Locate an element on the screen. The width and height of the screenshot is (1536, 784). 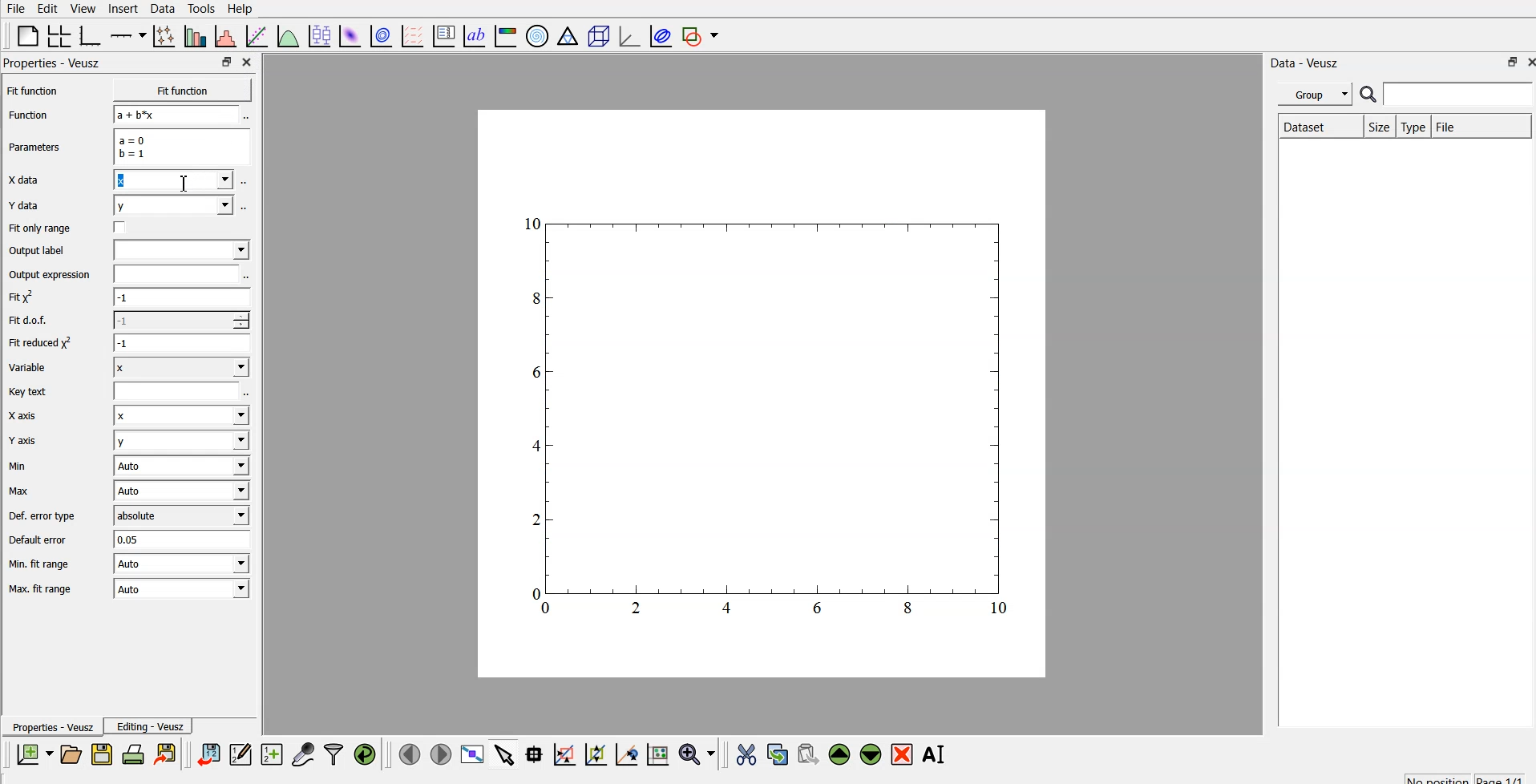
X data is located at coordinates (46, 180).